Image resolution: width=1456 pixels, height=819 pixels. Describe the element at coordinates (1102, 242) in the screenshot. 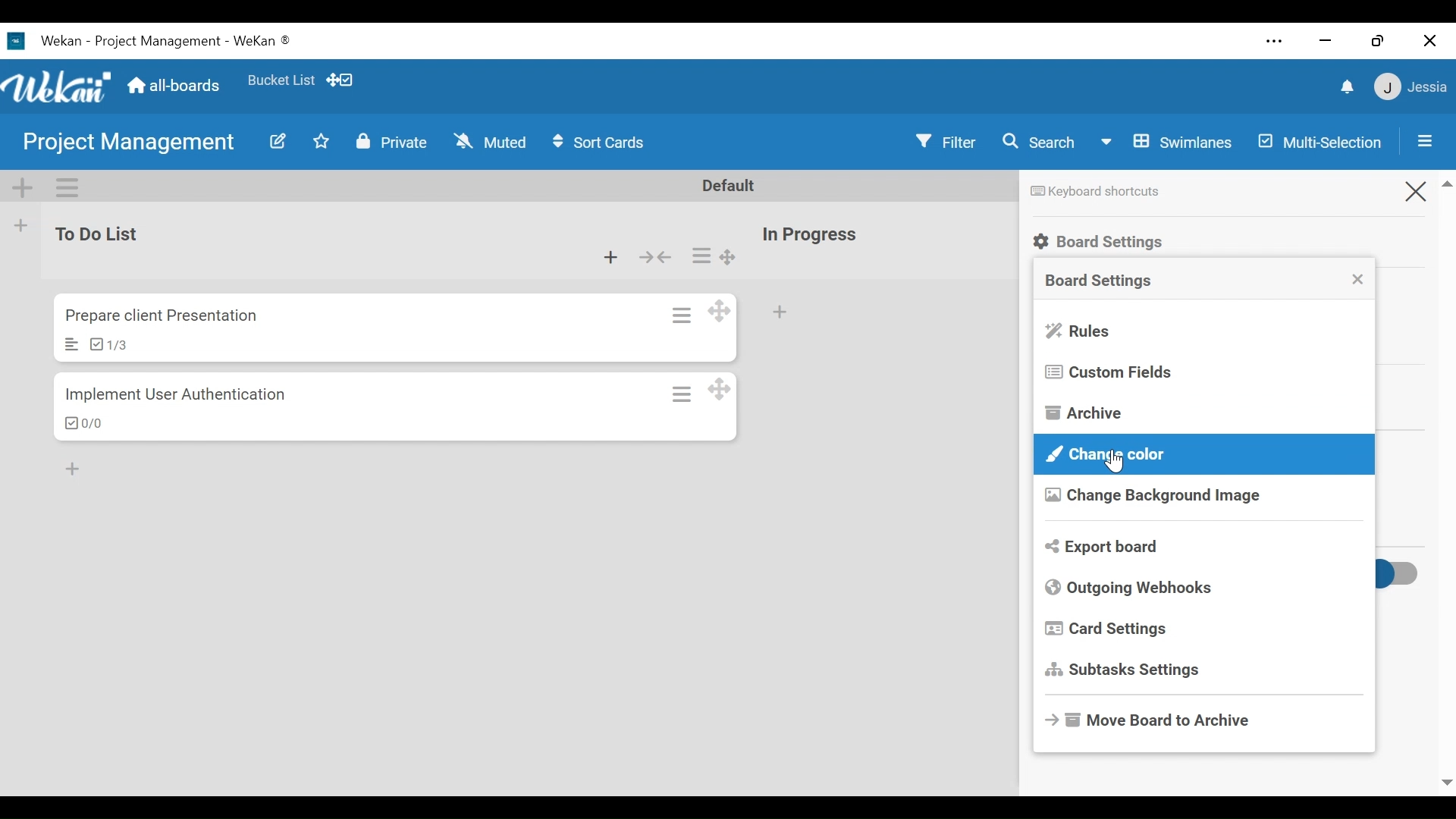

I see `Board settings` at that location.